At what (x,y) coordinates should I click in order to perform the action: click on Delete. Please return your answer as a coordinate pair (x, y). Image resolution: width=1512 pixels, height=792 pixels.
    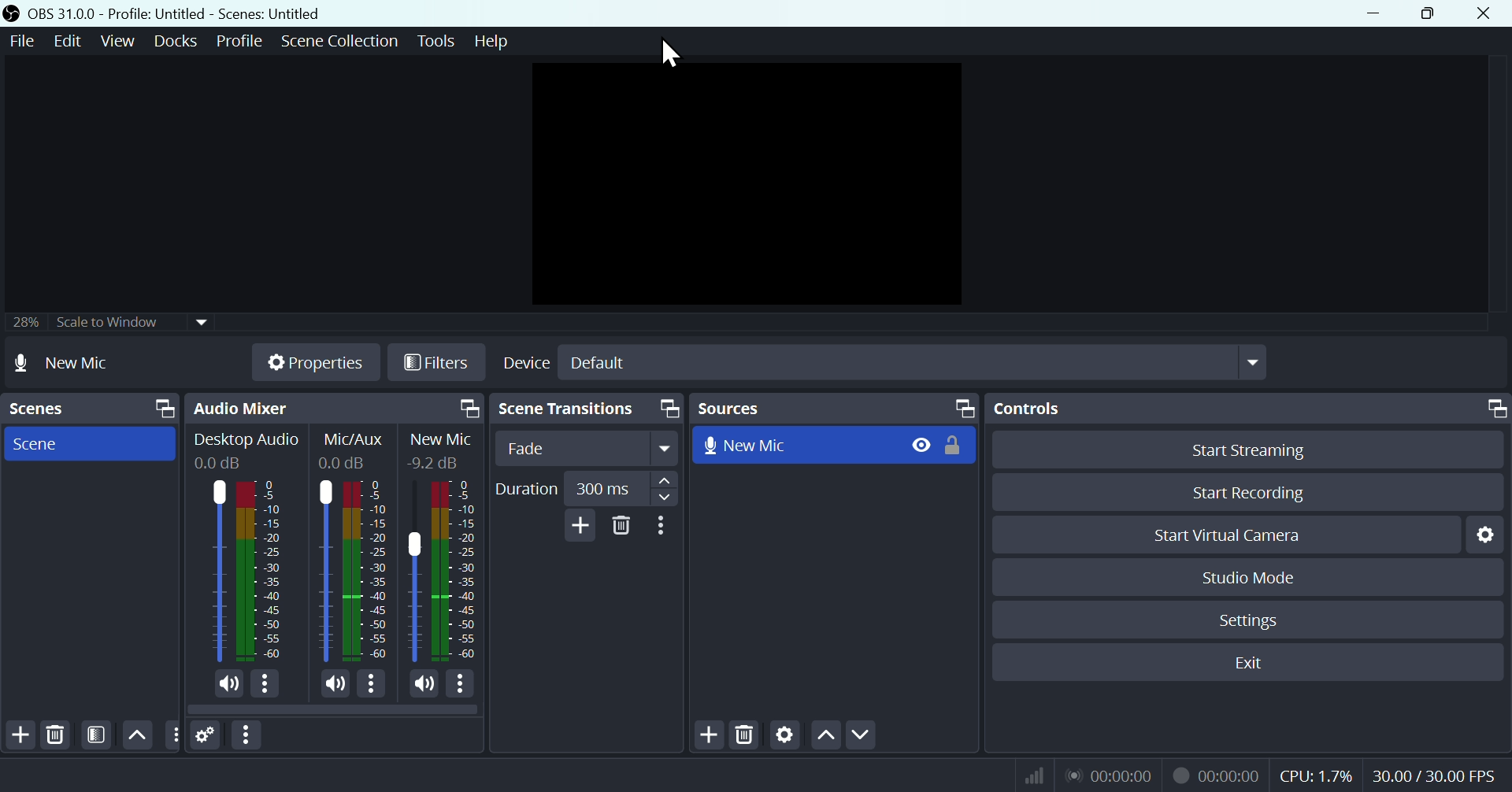
    Looking at the image, I should click on (55, 735).